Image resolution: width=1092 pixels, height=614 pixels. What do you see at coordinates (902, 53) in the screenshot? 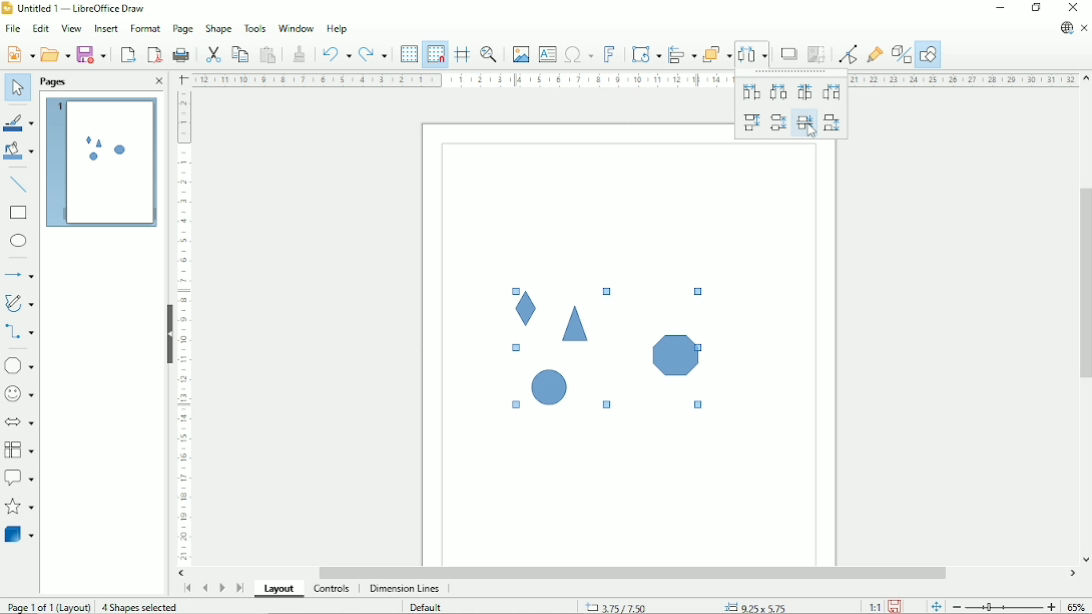
I see `Toggle extrusion` at bounding box center [902, 53].